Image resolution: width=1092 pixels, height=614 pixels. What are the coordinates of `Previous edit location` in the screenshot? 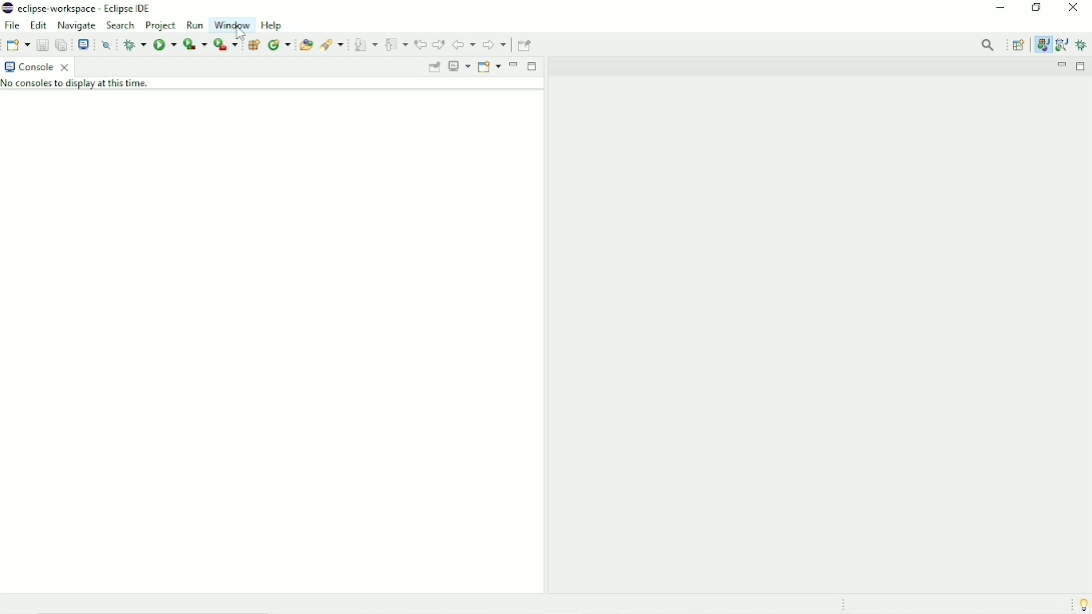 It's located at (420, 45).